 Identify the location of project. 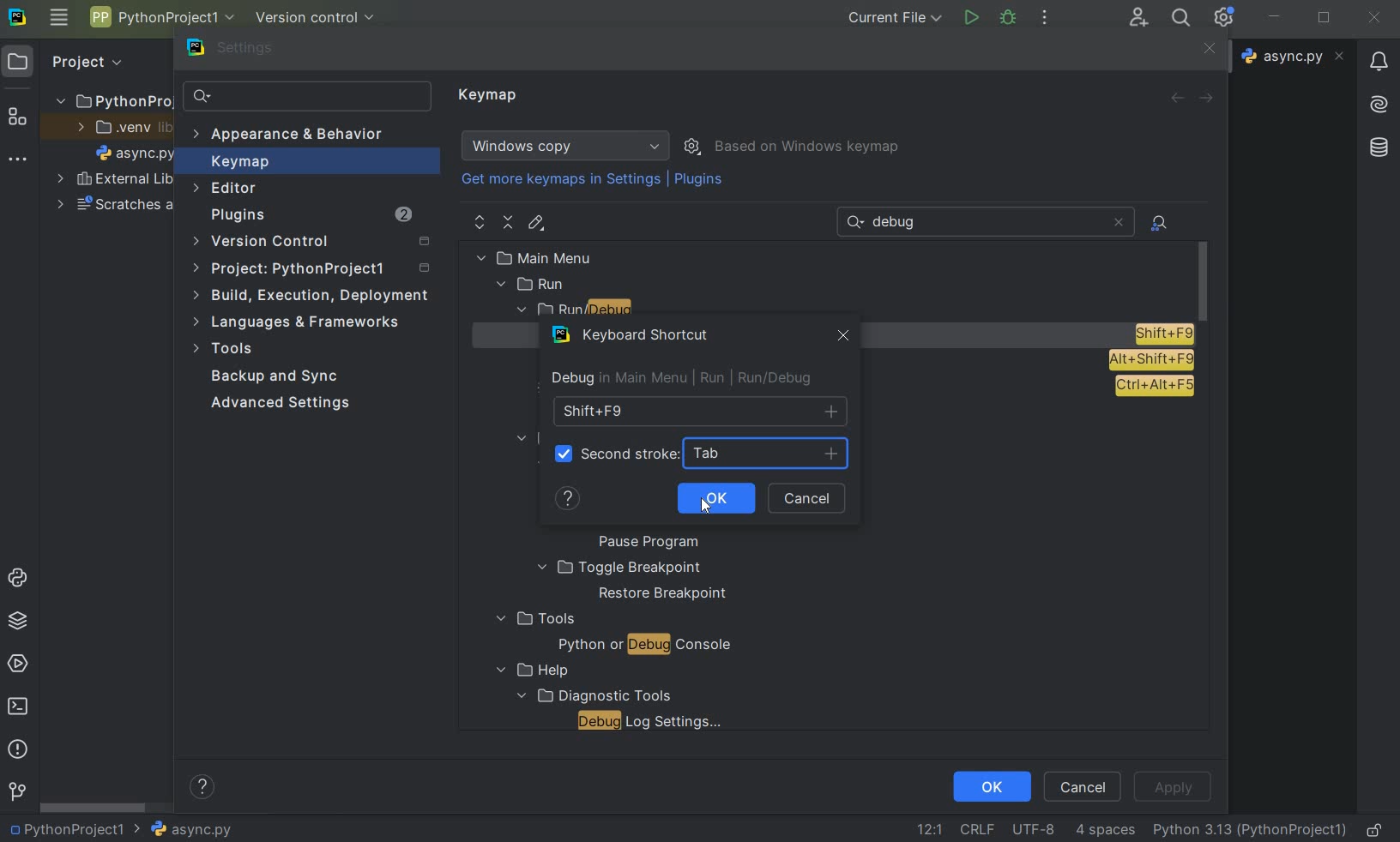
(314, 271).